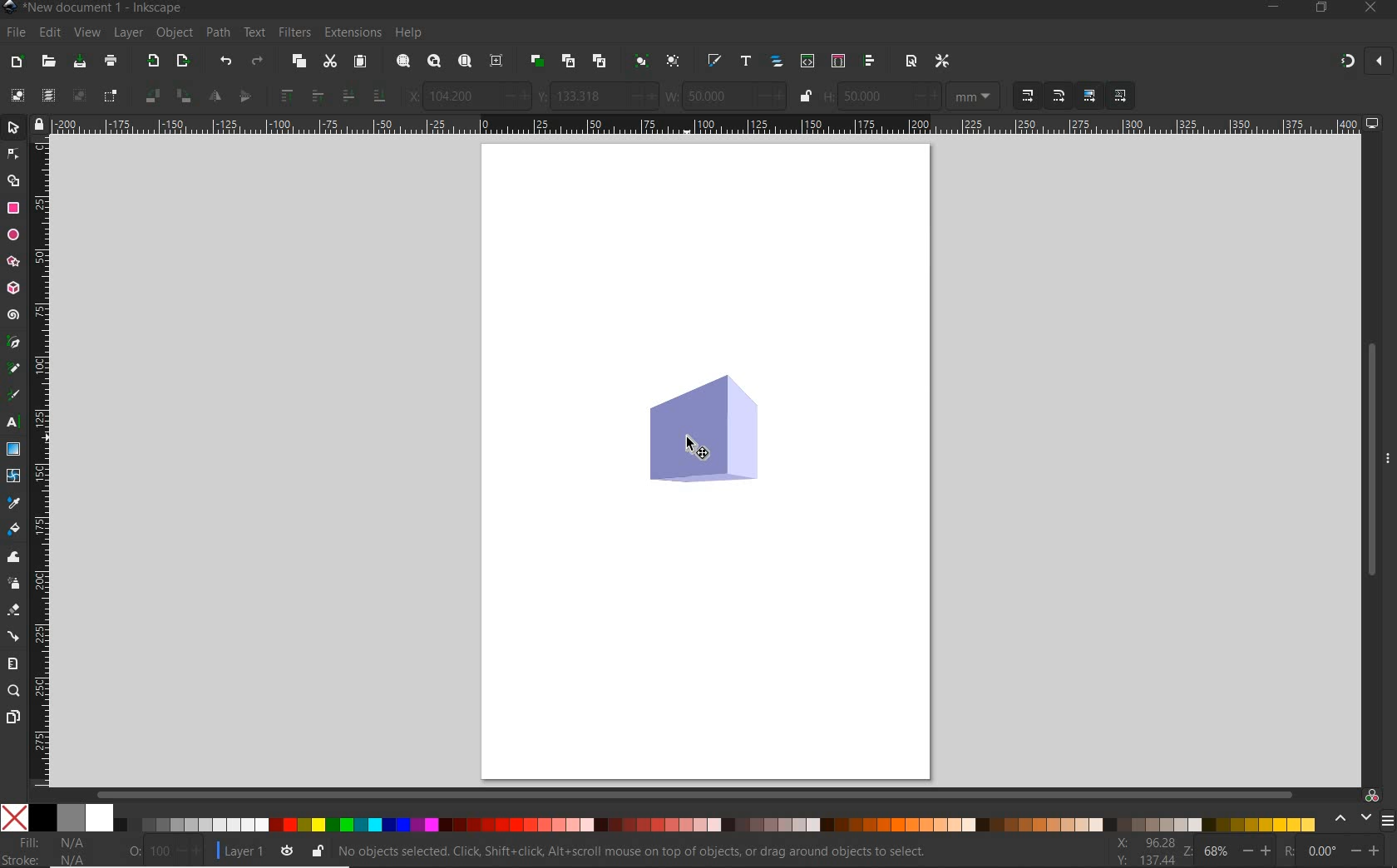 This screenshot has width=1397, height=868. I want to click on minimize, so click(1272, 8).